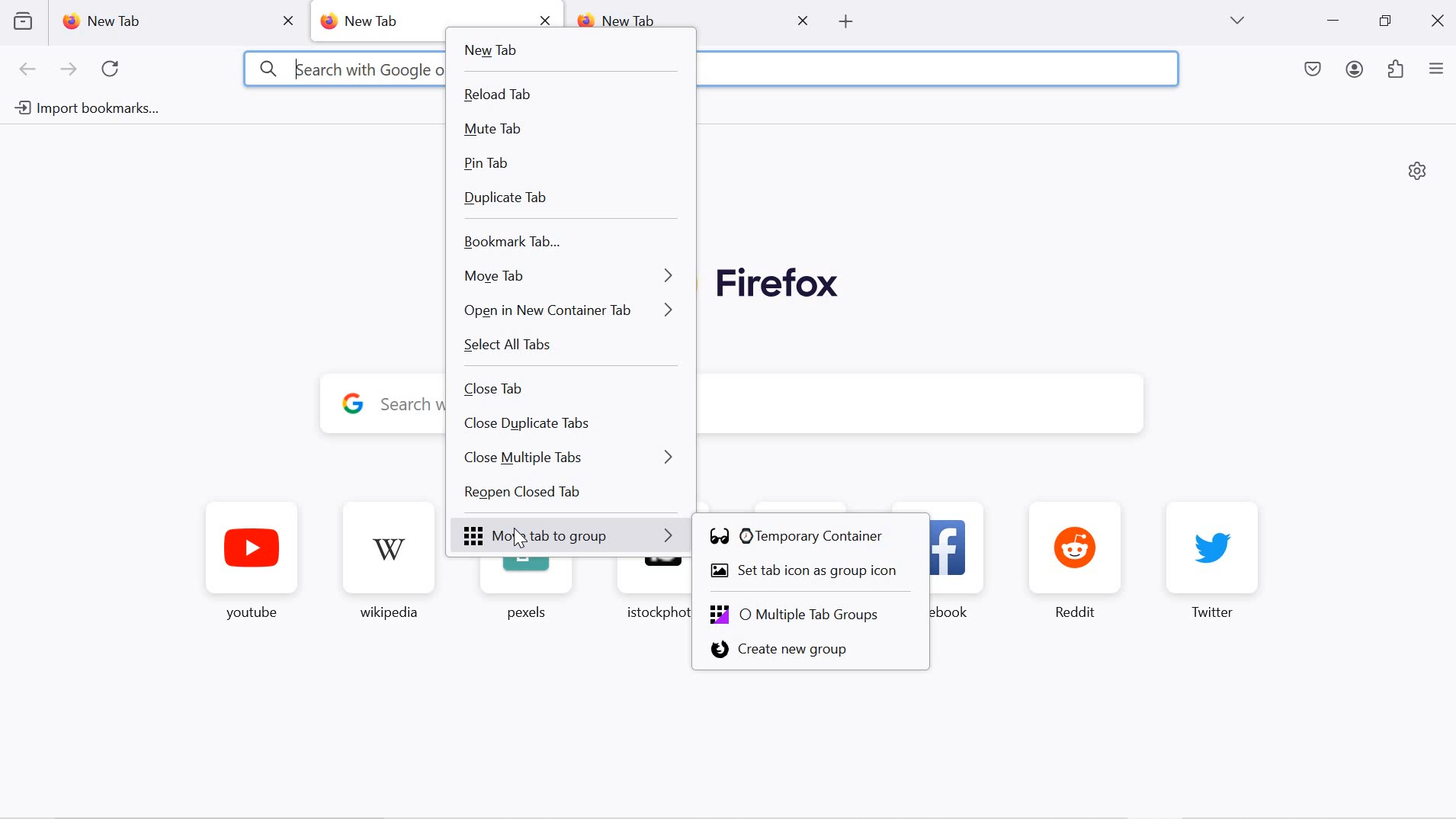  Describe the element at coordinates (805, 573) in the screenshot. I see `set tab icon as group icon` at that location.